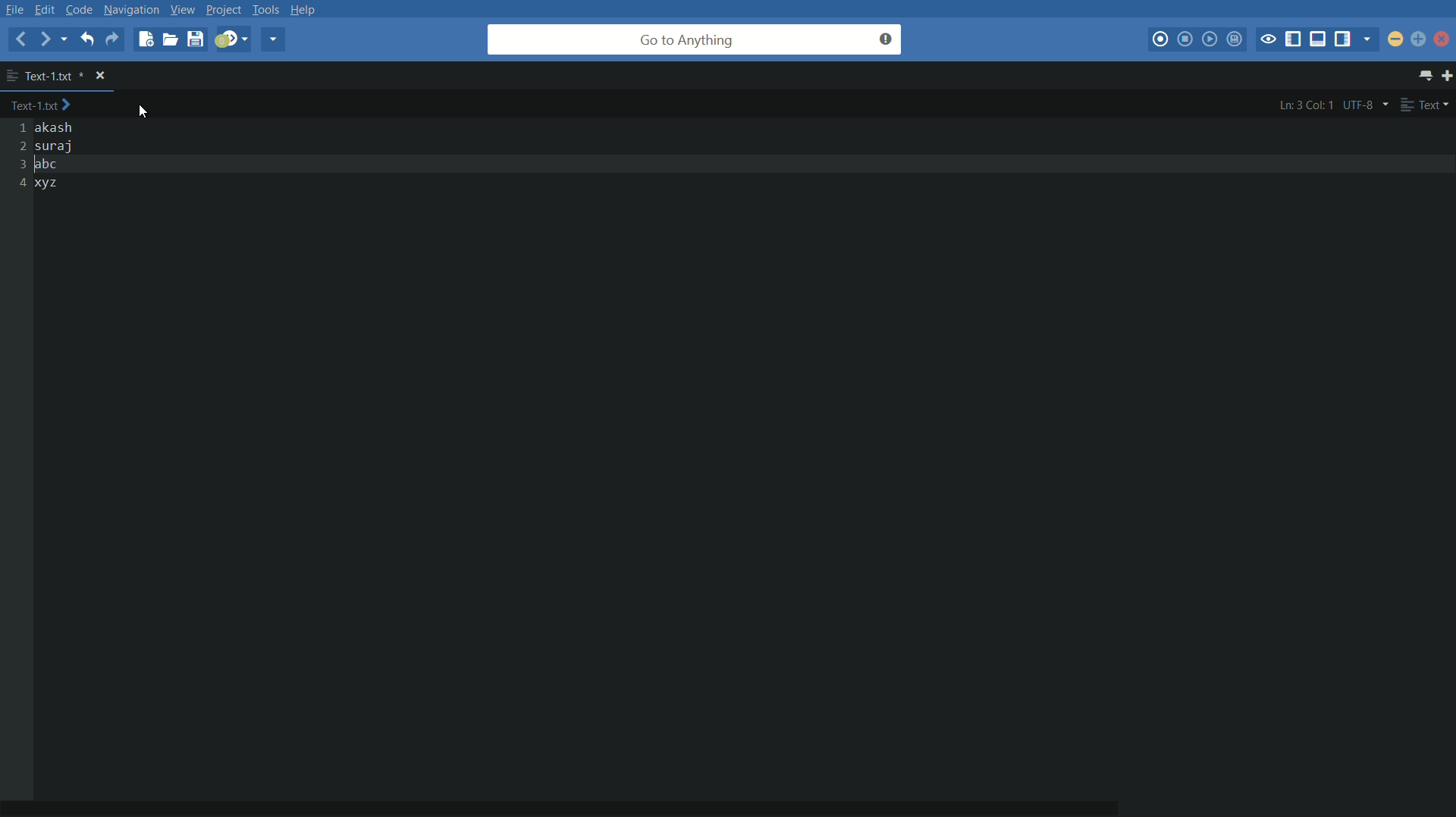 The image size is (1456, 817). I want to click on jump to next syntax correcting result, so click(231, 39).